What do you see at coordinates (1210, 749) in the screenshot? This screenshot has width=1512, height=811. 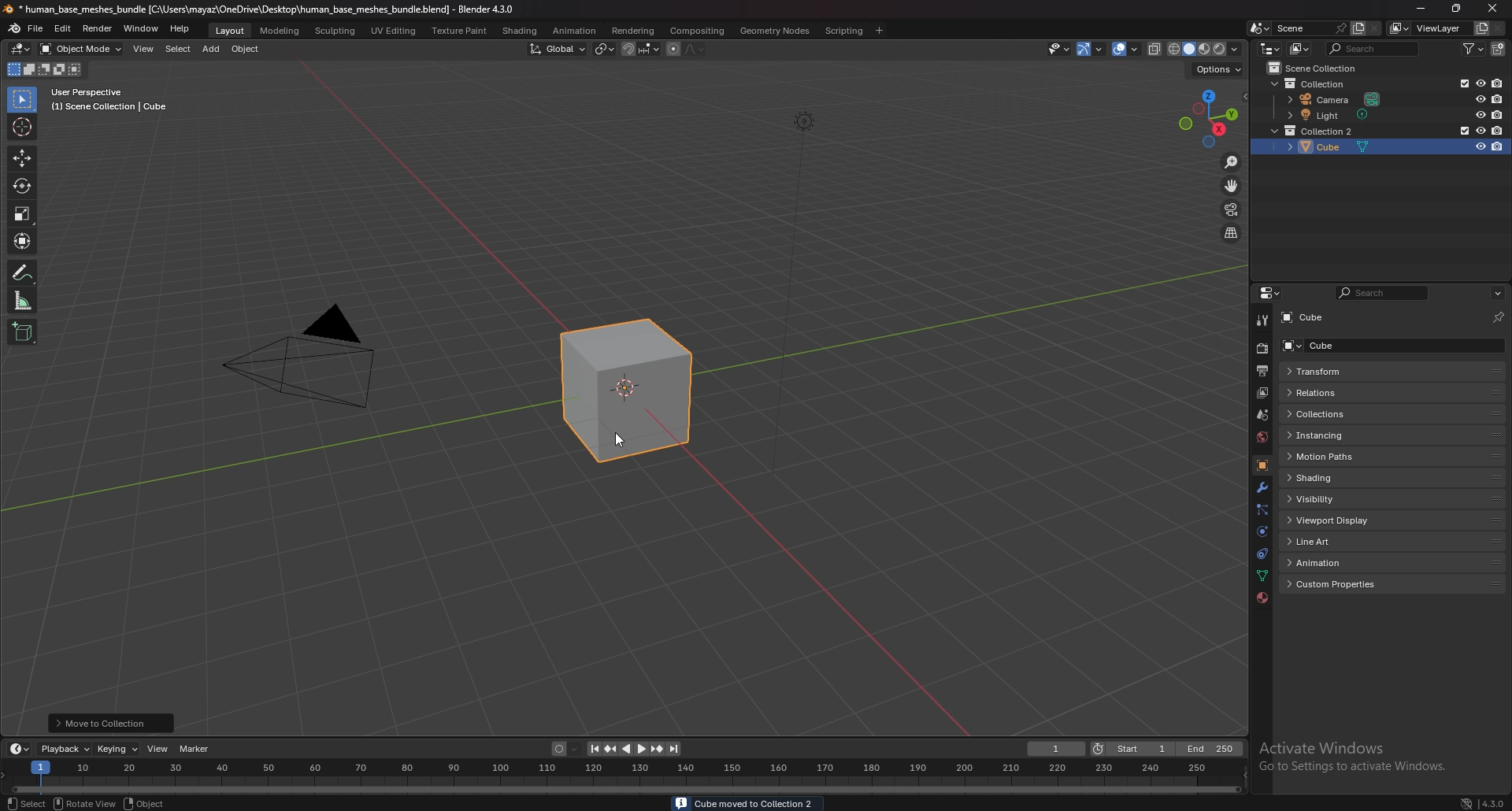 I see `end` at bounding box center [1210, 749].